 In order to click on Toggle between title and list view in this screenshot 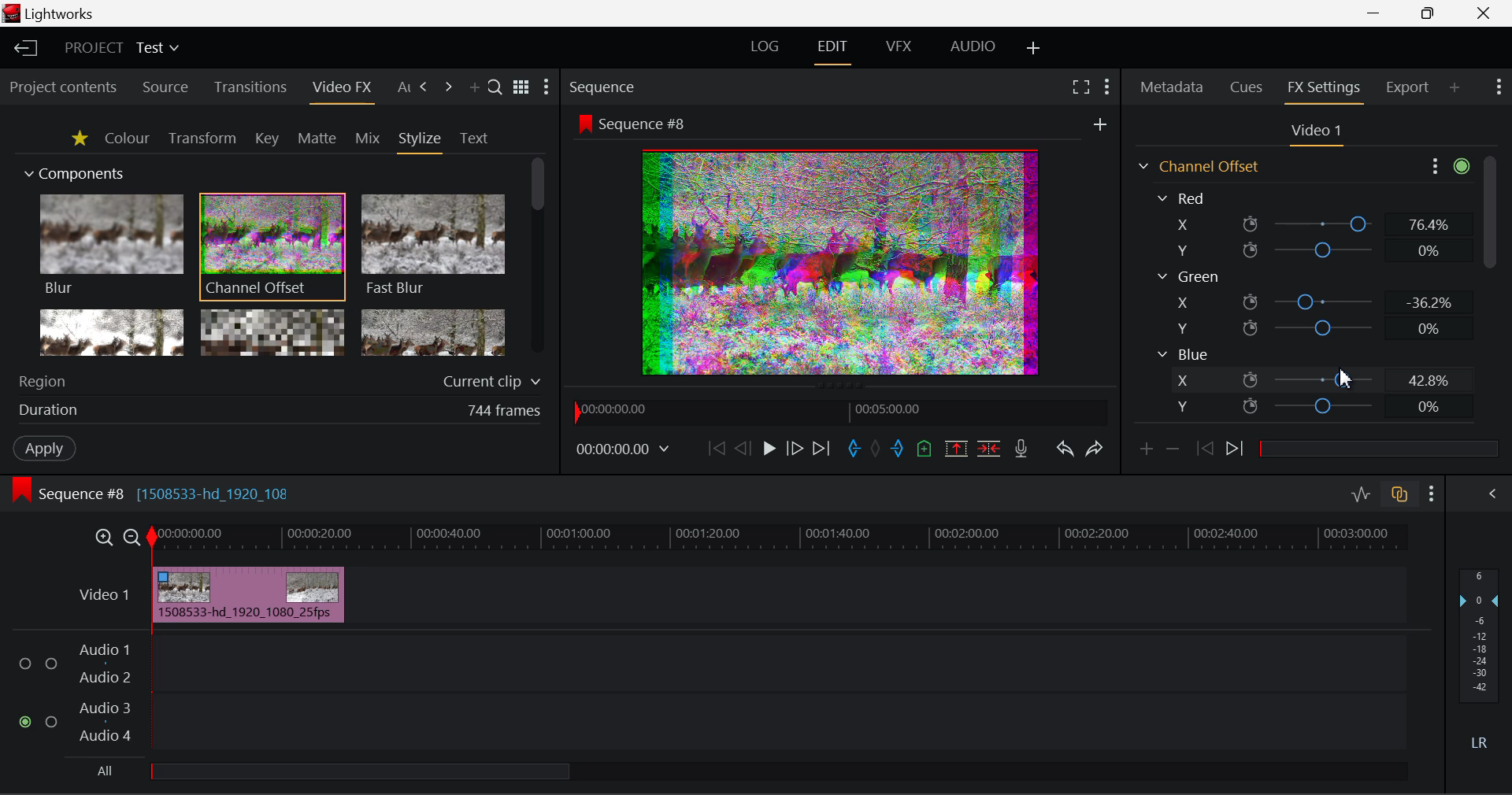, I will do `click(521, 84)`.